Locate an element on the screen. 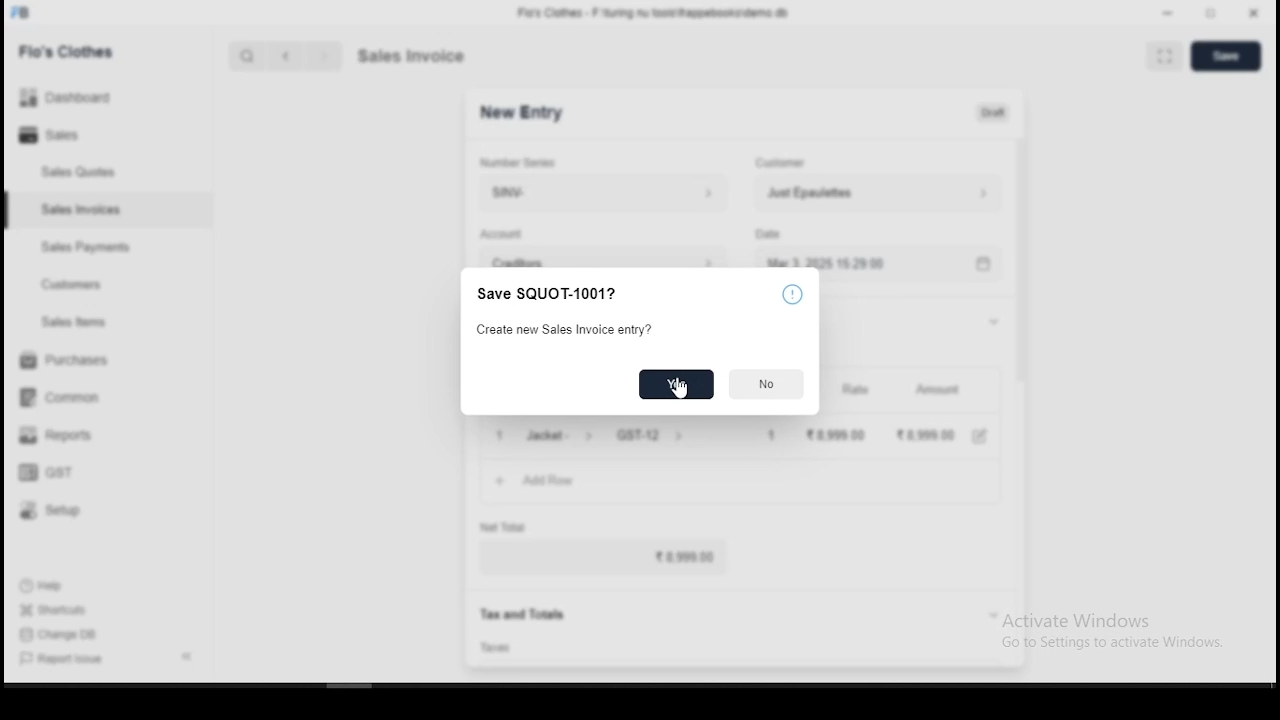 The width and height of the screenshot is (1280, 720). edit is located at coordinates (988, 435).